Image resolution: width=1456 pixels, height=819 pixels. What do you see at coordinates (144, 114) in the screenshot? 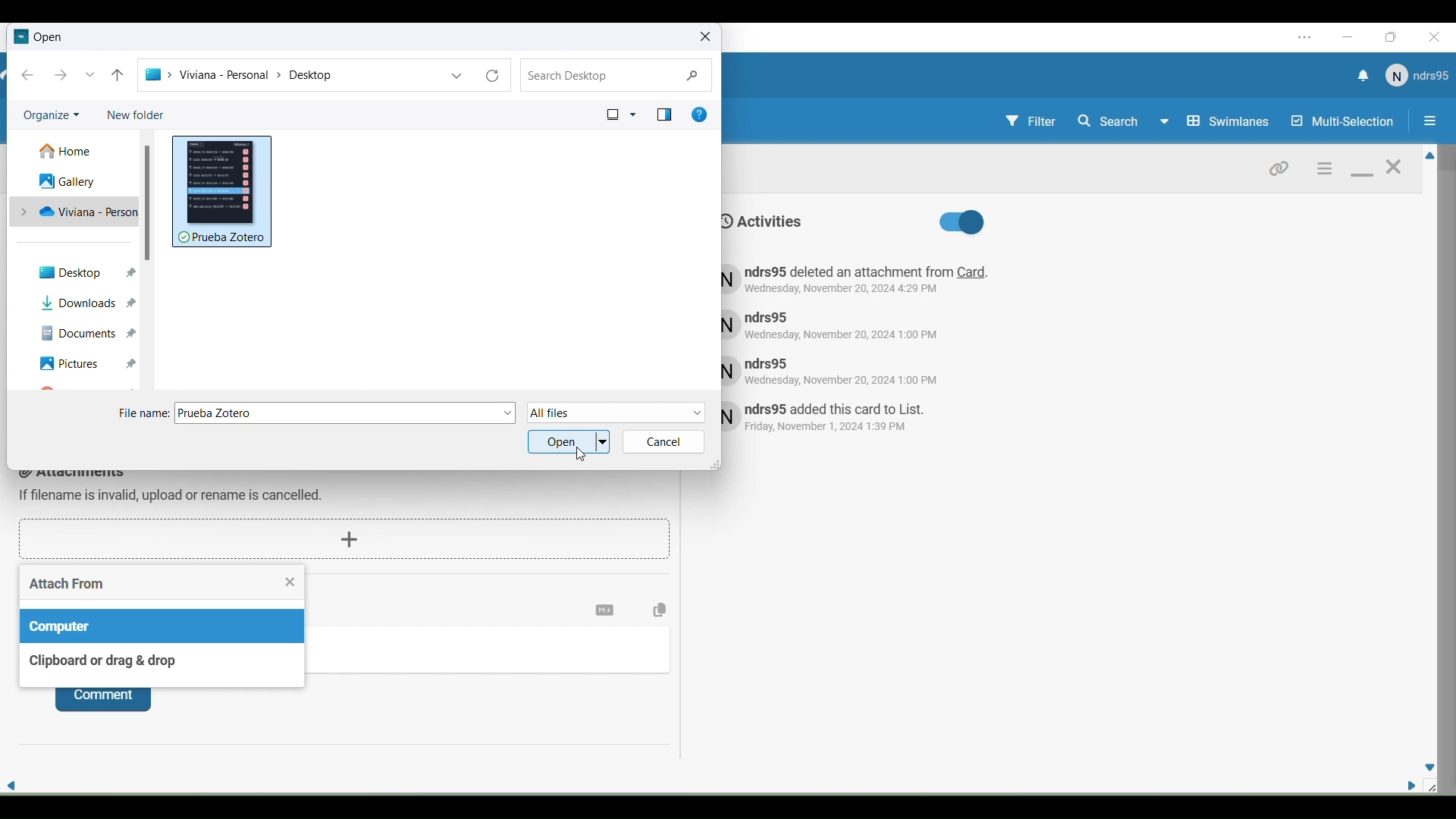
I see `New Folder` at bounding box center [144, 114].